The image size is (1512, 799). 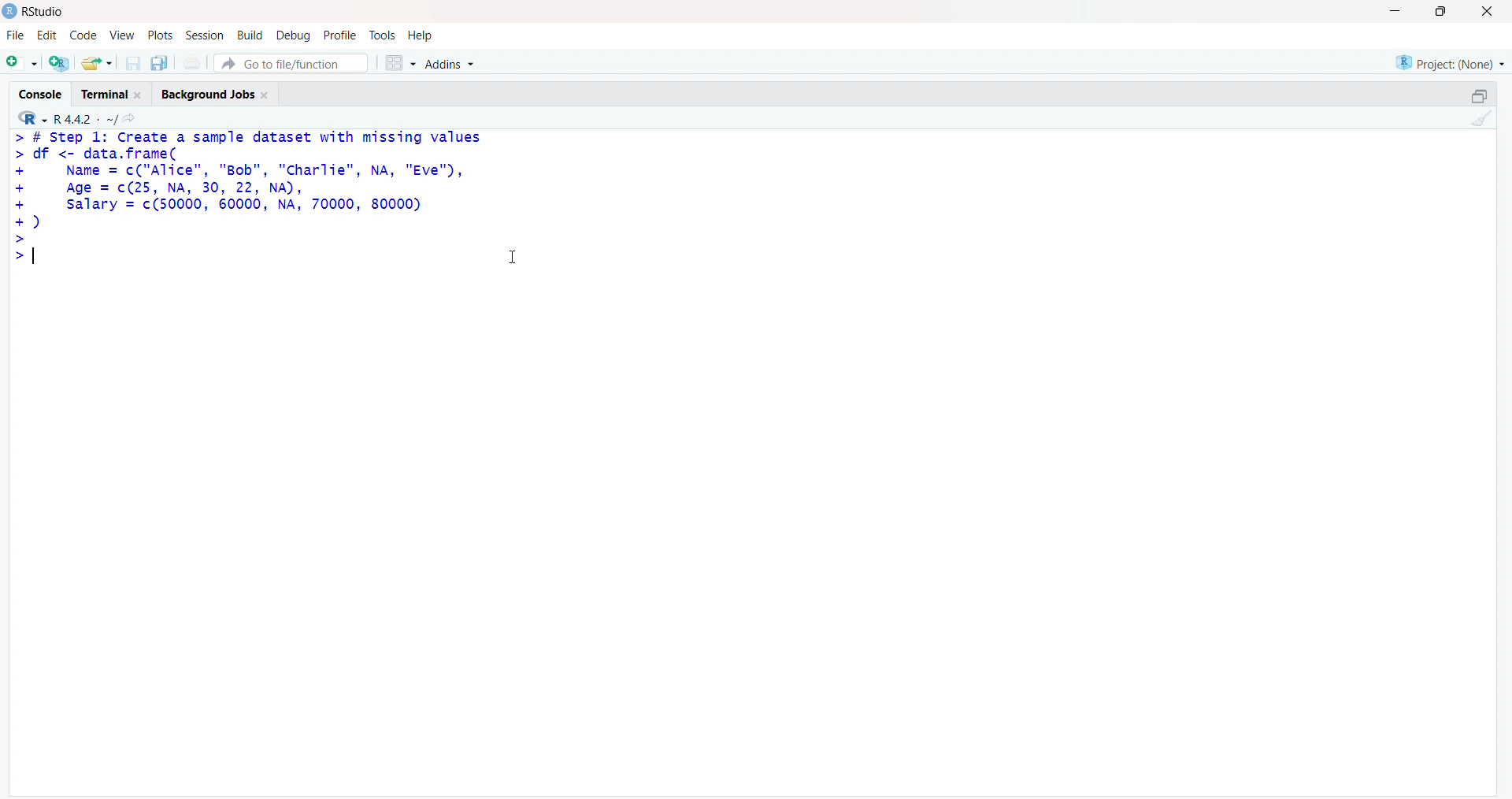 I want to click on Minimize, so click(x=1392, y=11).